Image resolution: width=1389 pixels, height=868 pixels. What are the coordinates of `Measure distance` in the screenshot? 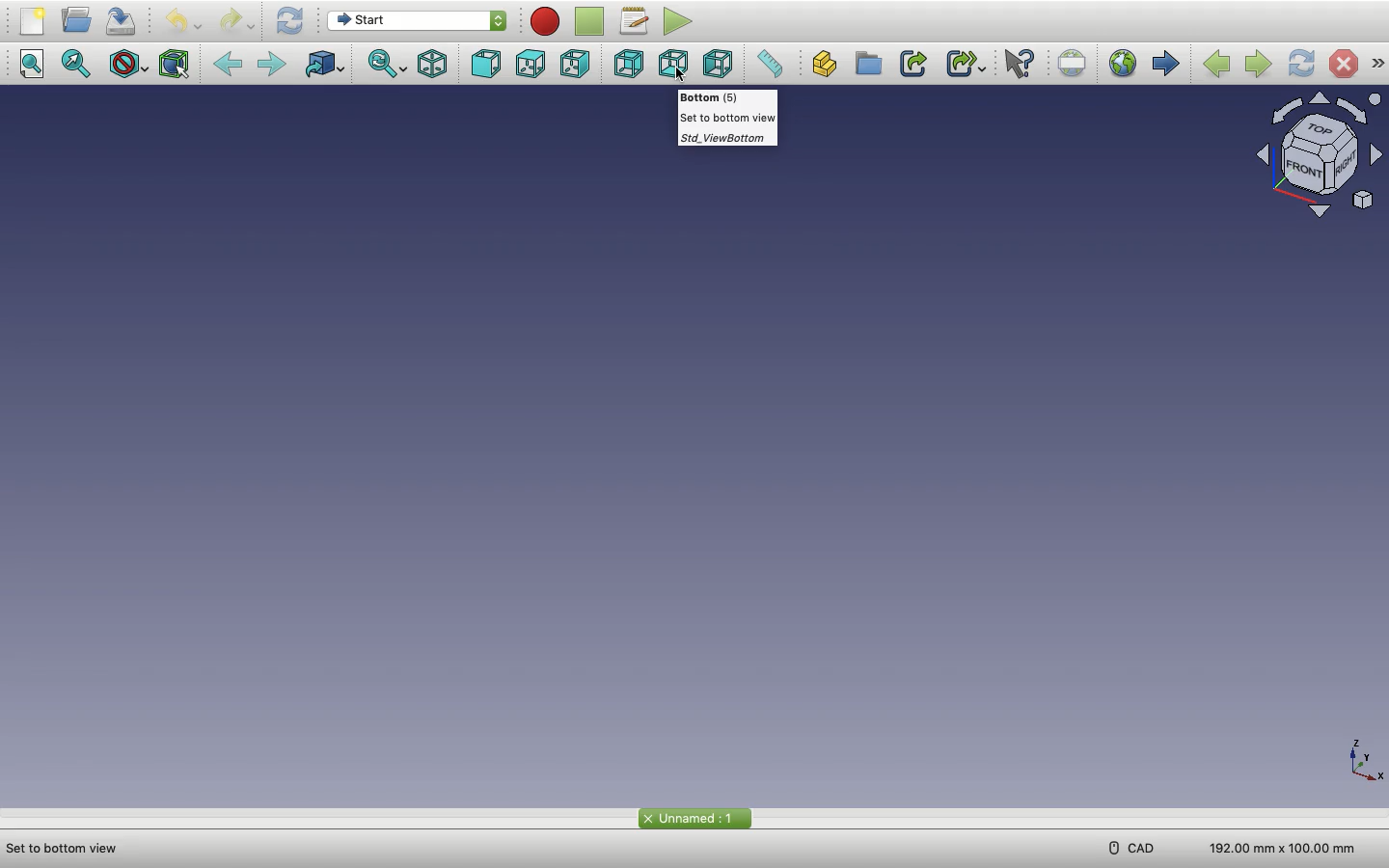 It's located at (775, 66).